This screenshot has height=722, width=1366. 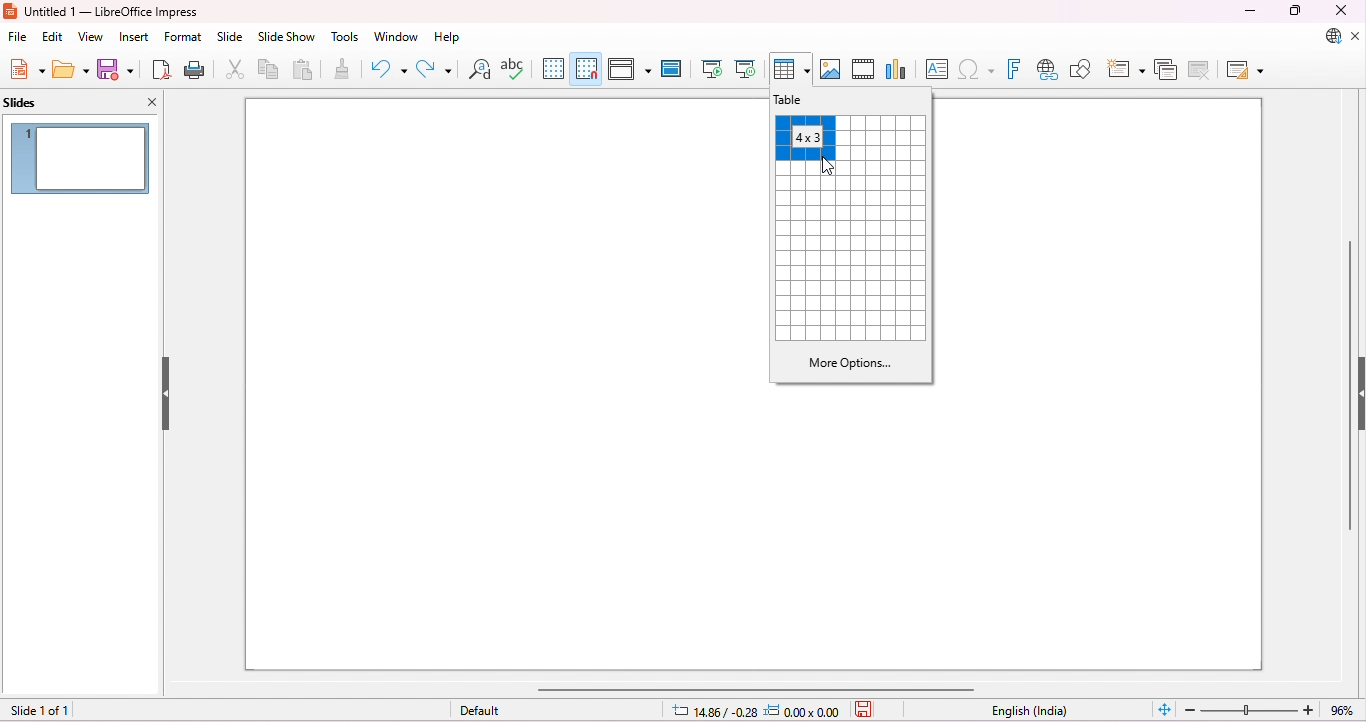 I want to click on spelling, so click(x=514, y=69).